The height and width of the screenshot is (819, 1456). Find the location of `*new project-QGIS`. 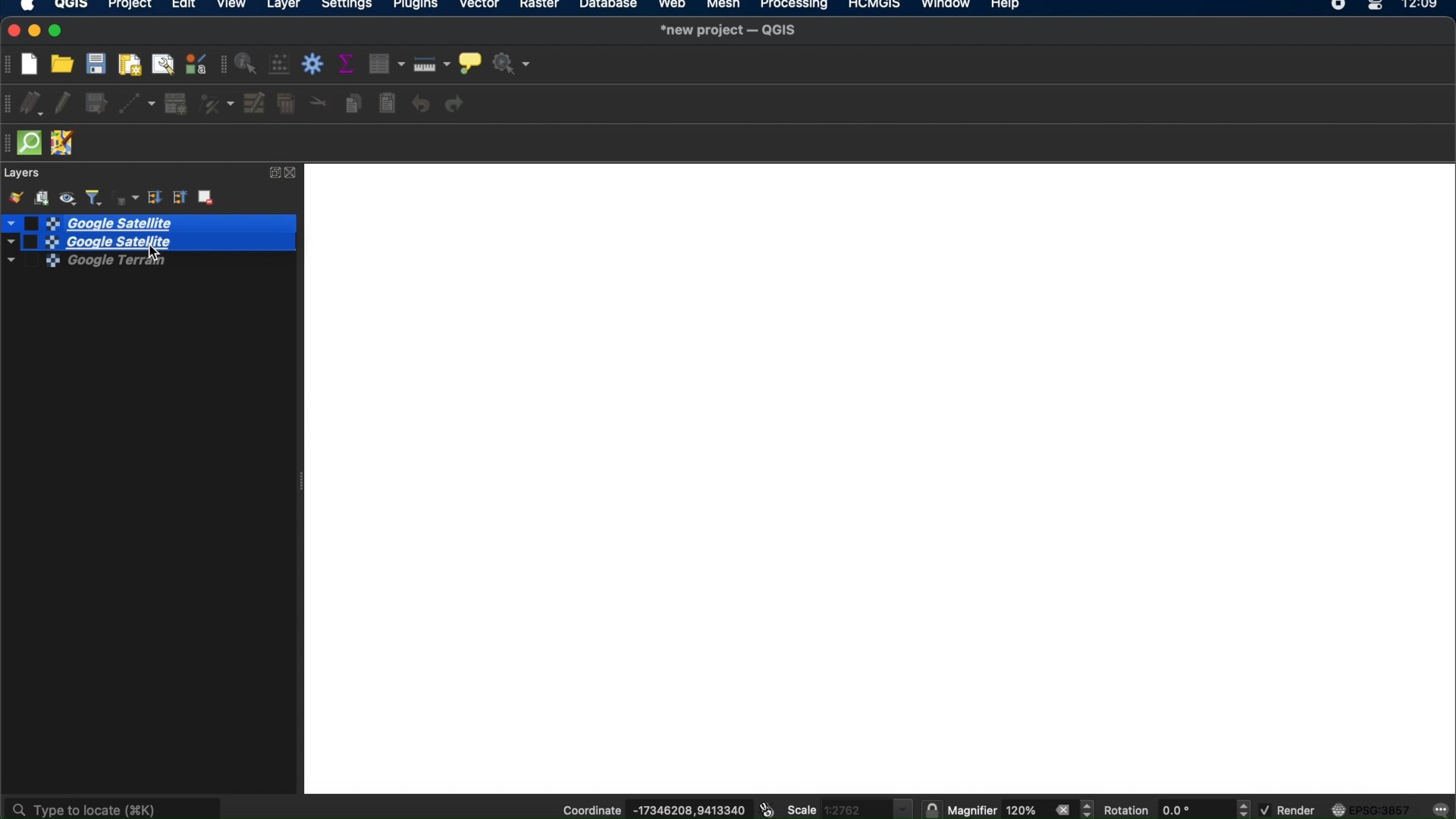

*new project-QGIS is located at coordinates (730, 31).